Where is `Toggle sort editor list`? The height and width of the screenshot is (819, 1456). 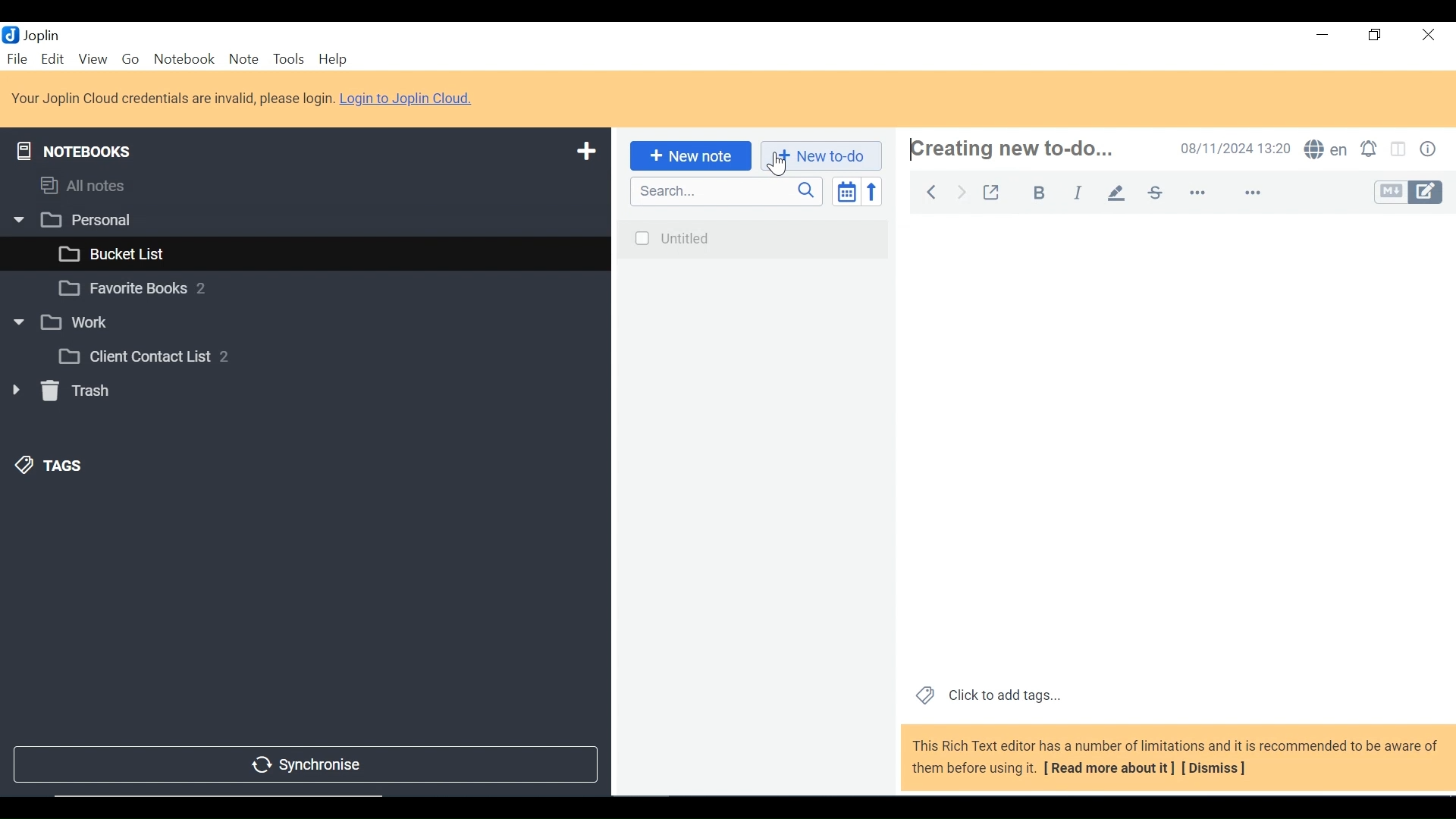 Toggle sort editor list is located at coordinates (845, 191).